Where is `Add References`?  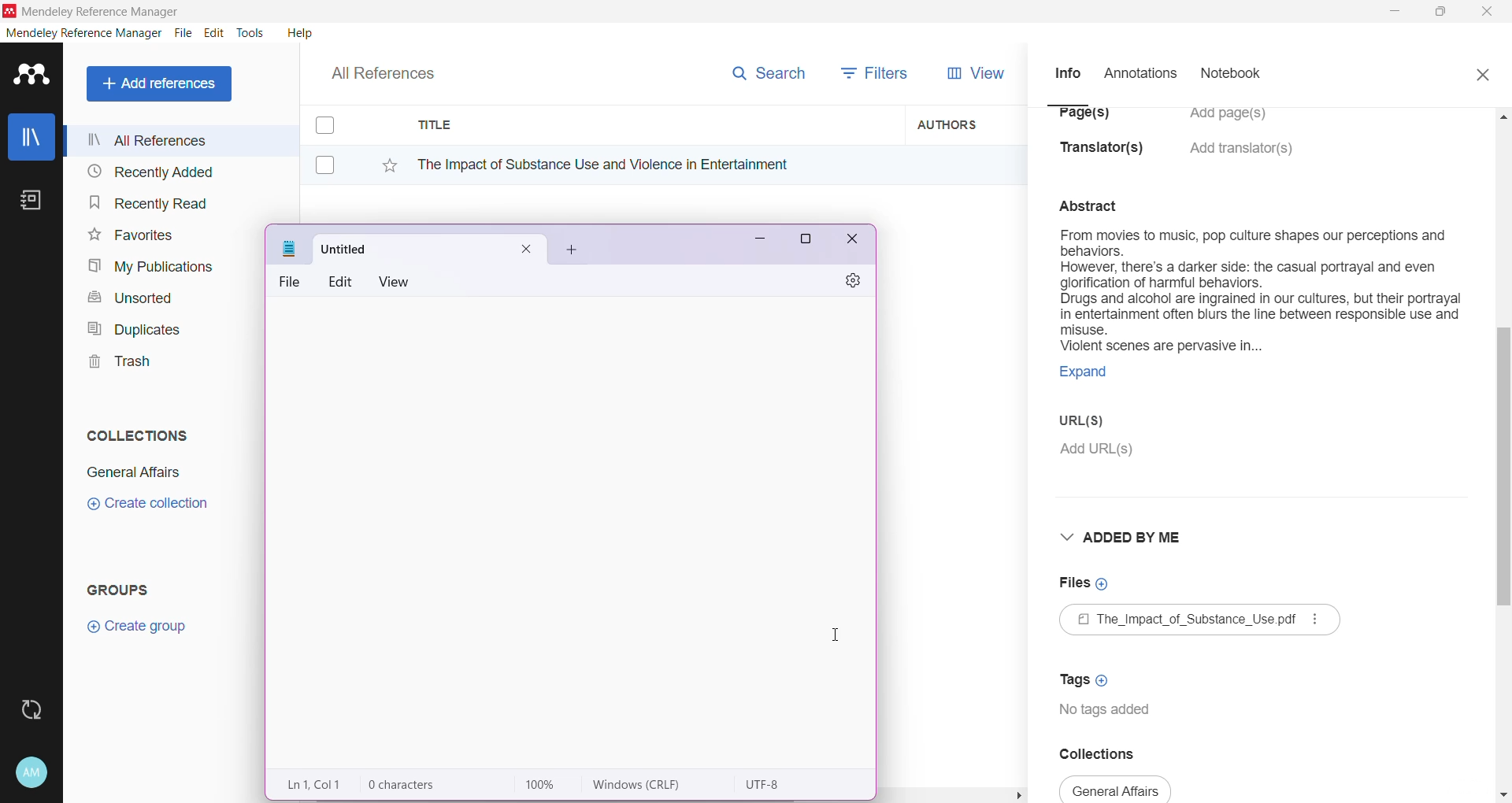
Add References is located at coordinates (162, 83).